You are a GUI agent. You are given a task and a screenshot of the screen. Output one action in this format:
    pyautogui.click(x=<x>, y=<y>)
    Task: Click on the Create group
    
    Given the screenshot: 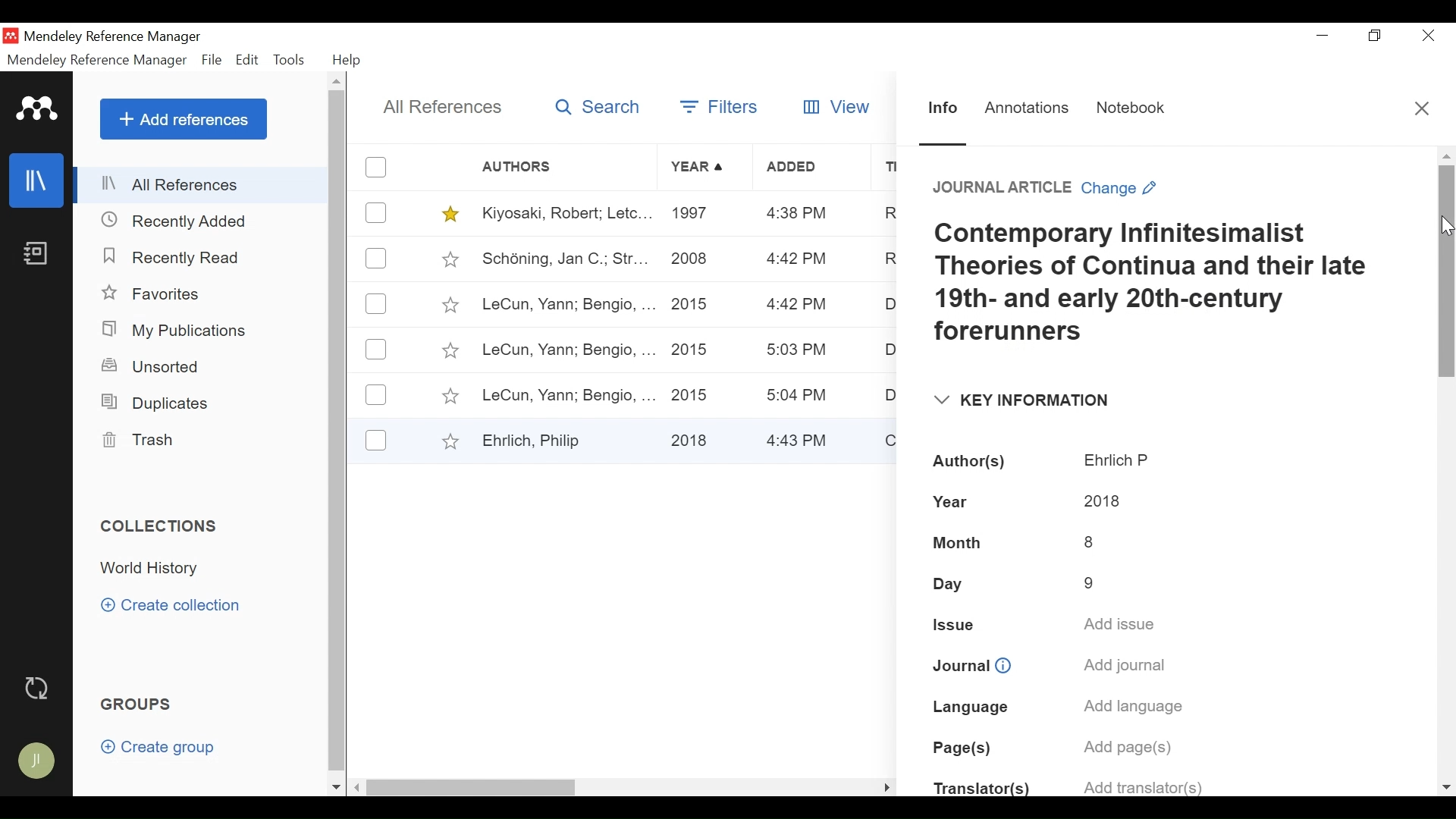 What is the action you would take?
    pyautogui.click(x=158, y=746)
    